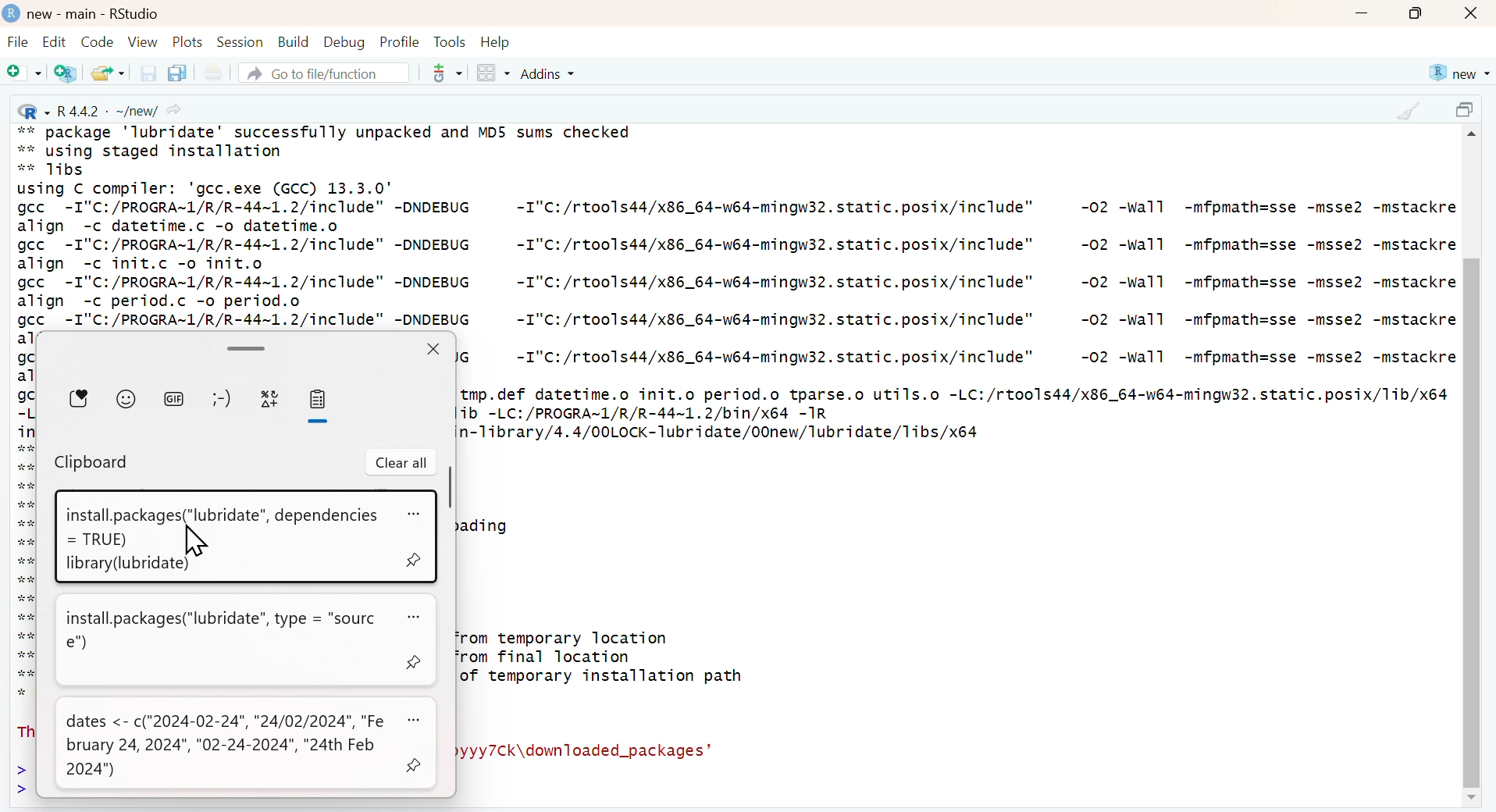  I want to click on new - main - RStudio, so click(95, 14).